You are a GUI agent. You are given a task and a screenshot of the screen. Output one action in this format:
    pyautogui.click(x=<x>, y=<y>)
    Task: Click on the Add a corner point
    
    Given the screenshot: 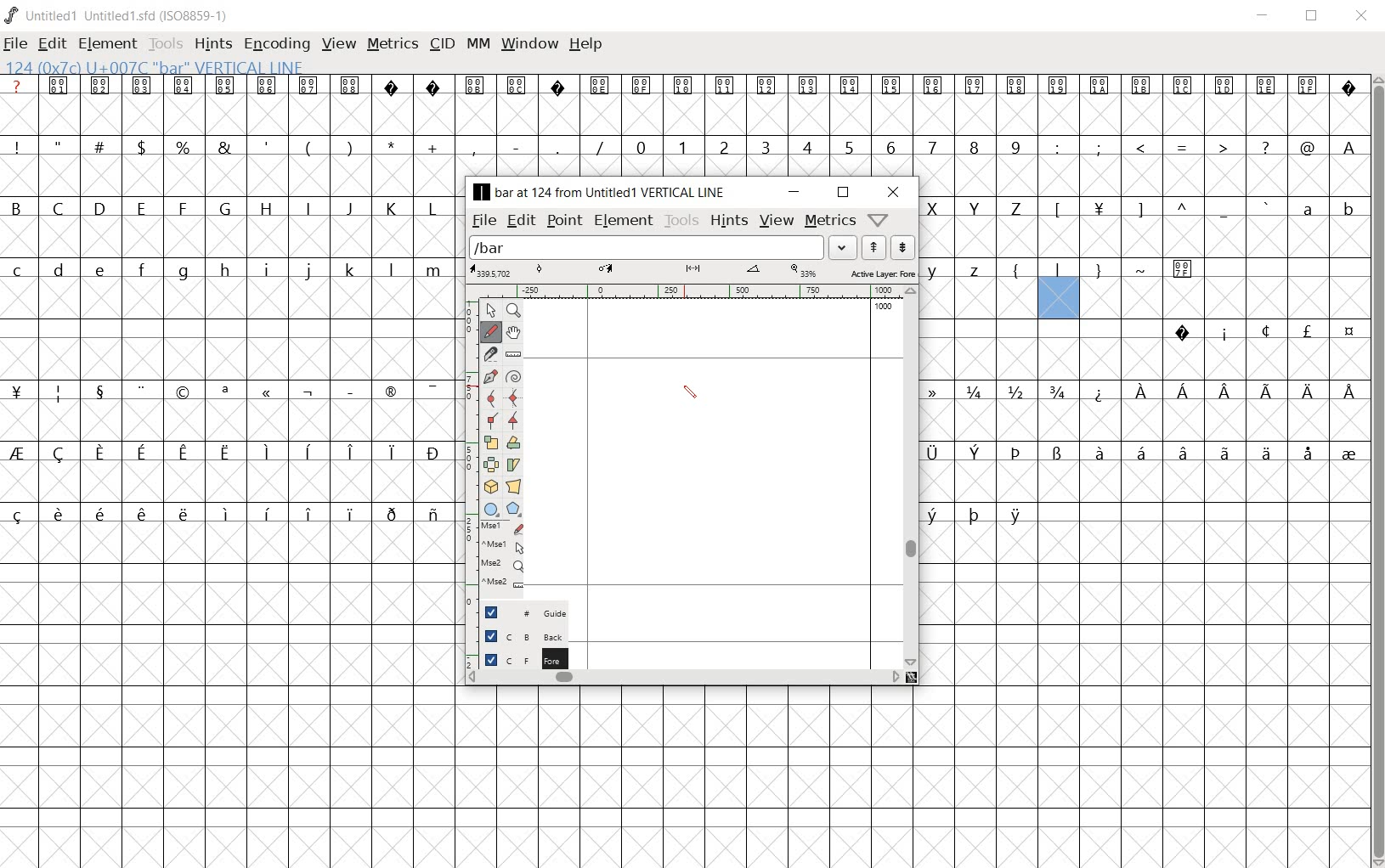 What is the action you would take?
    pyautogui.click(x=493, y=420)
    